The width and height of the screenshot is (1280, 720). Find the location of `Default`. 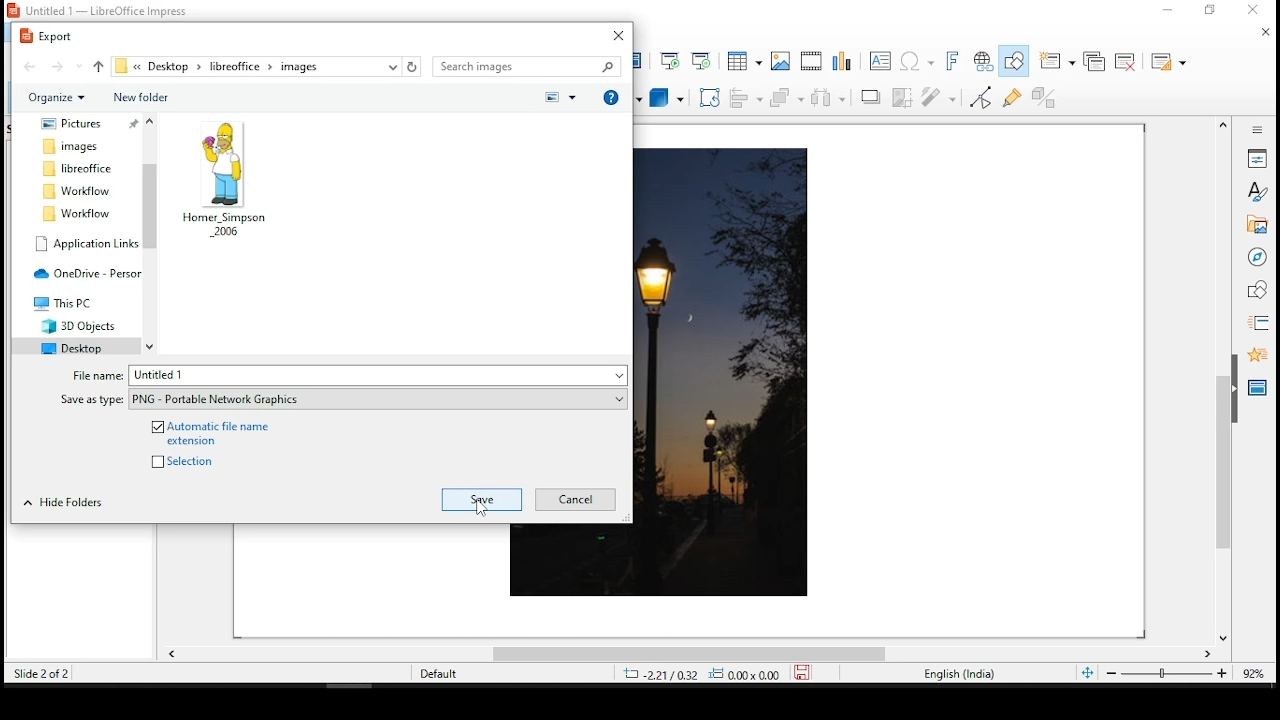

Default is located at coordinates (439, 673).